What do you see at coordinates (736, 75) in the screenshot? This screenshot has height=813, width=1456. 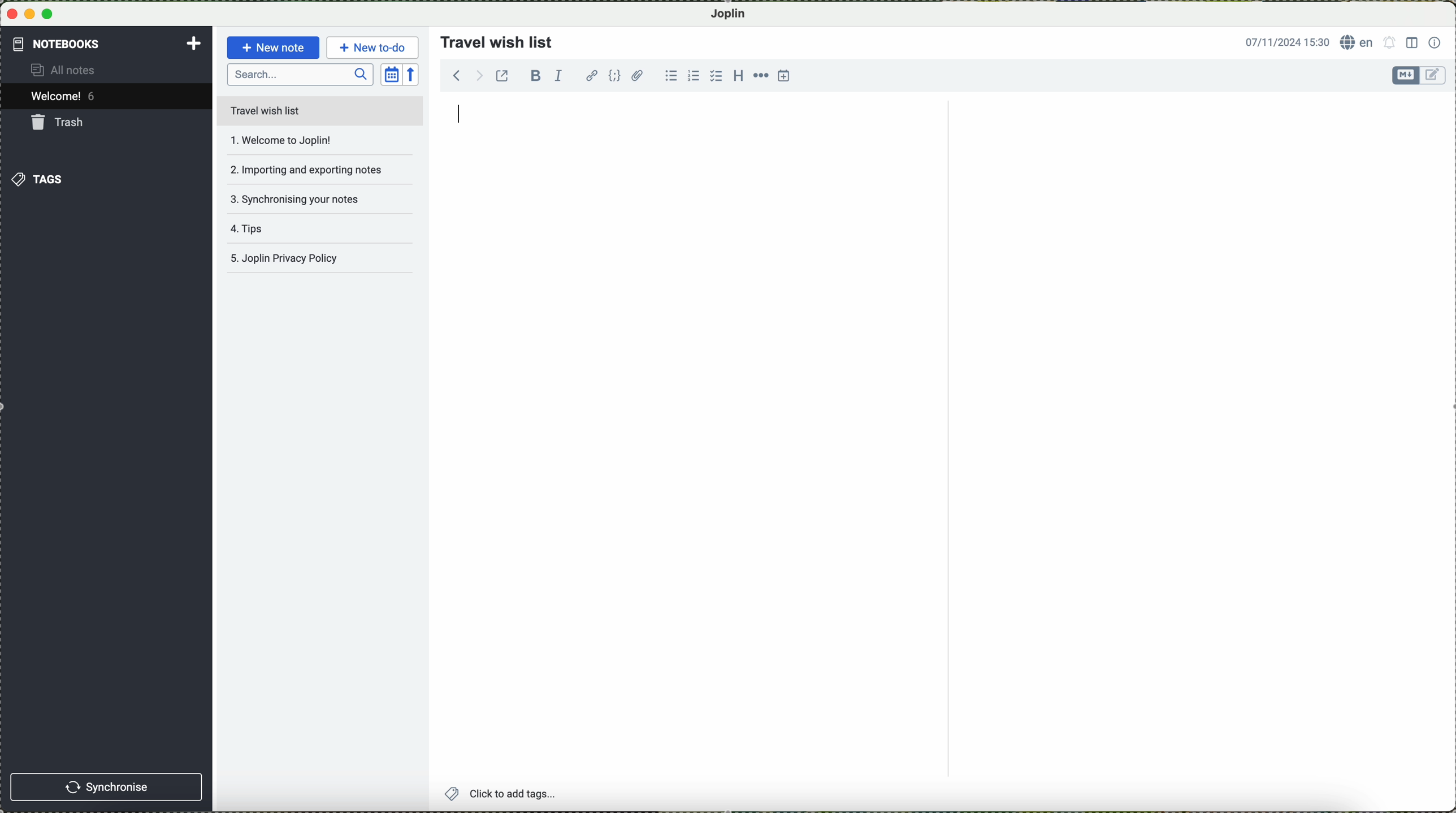 I see `heading` at bounding box center [736, 75].